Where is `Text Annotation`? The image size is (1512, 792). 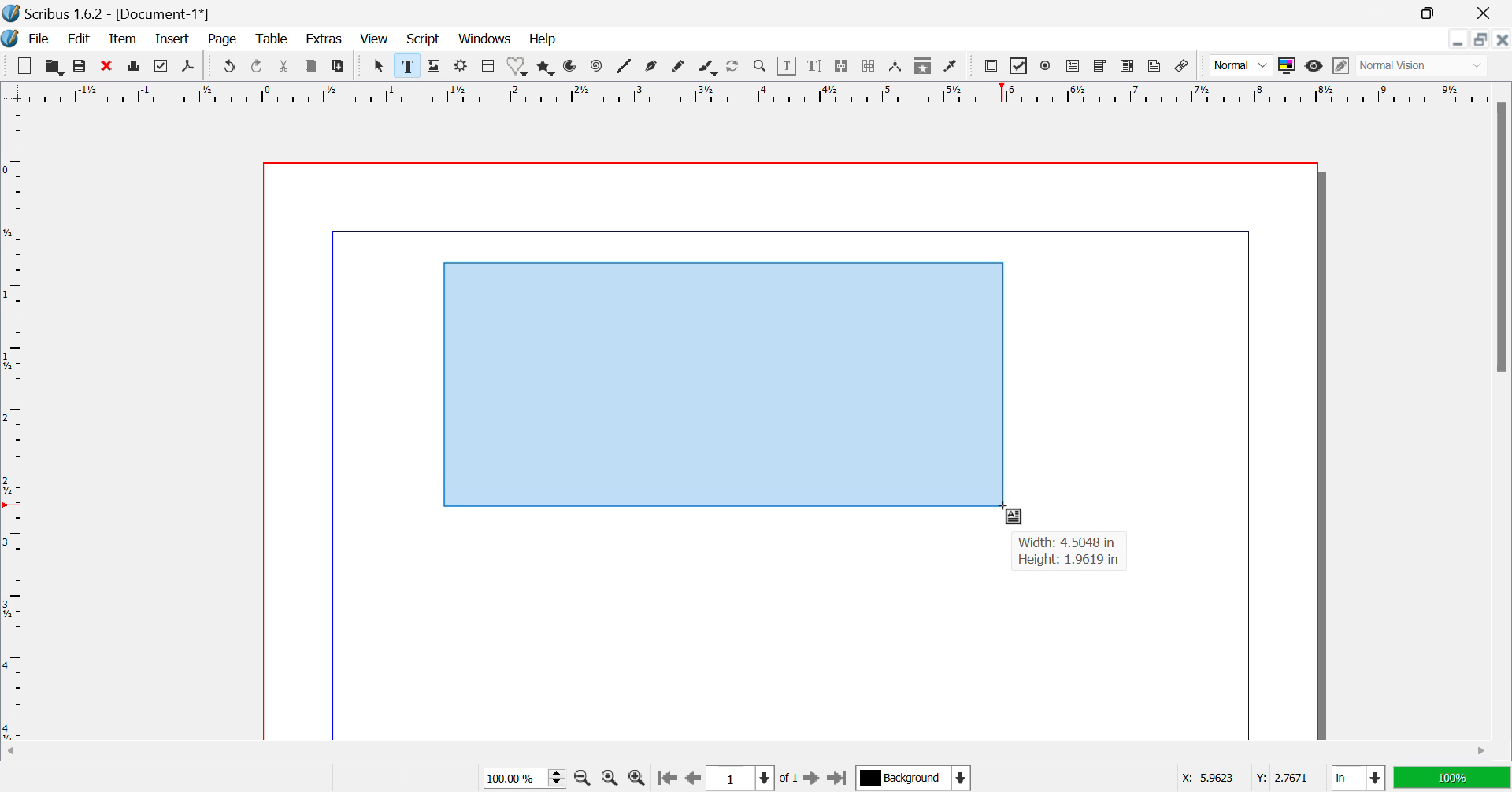 Text Annotation is located at coordinates (1156, 67).